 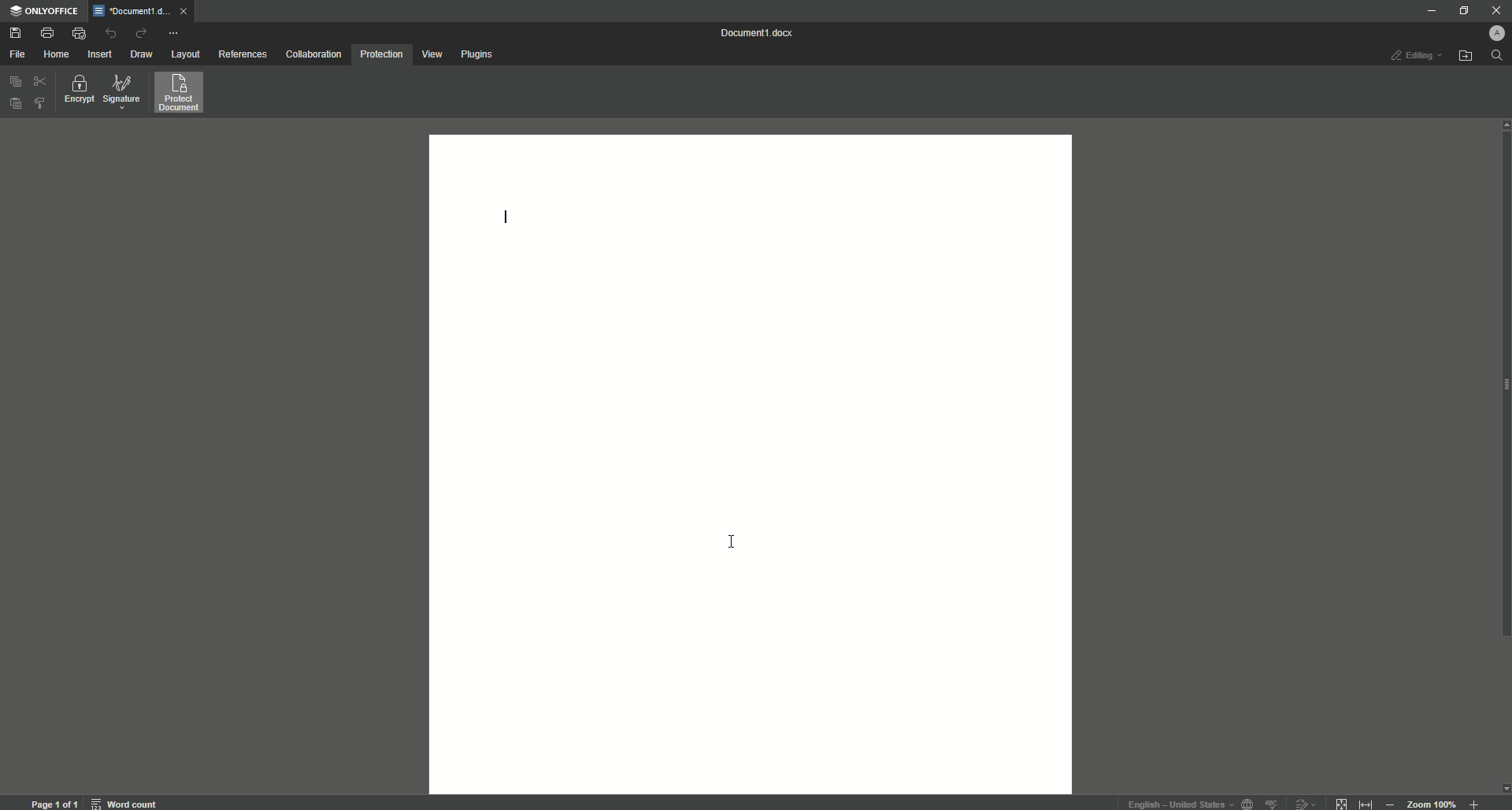 What do you see at coordinates (1466, 56) in the screenshot?
I see `Open file location` at bounding box center [1466, 56].